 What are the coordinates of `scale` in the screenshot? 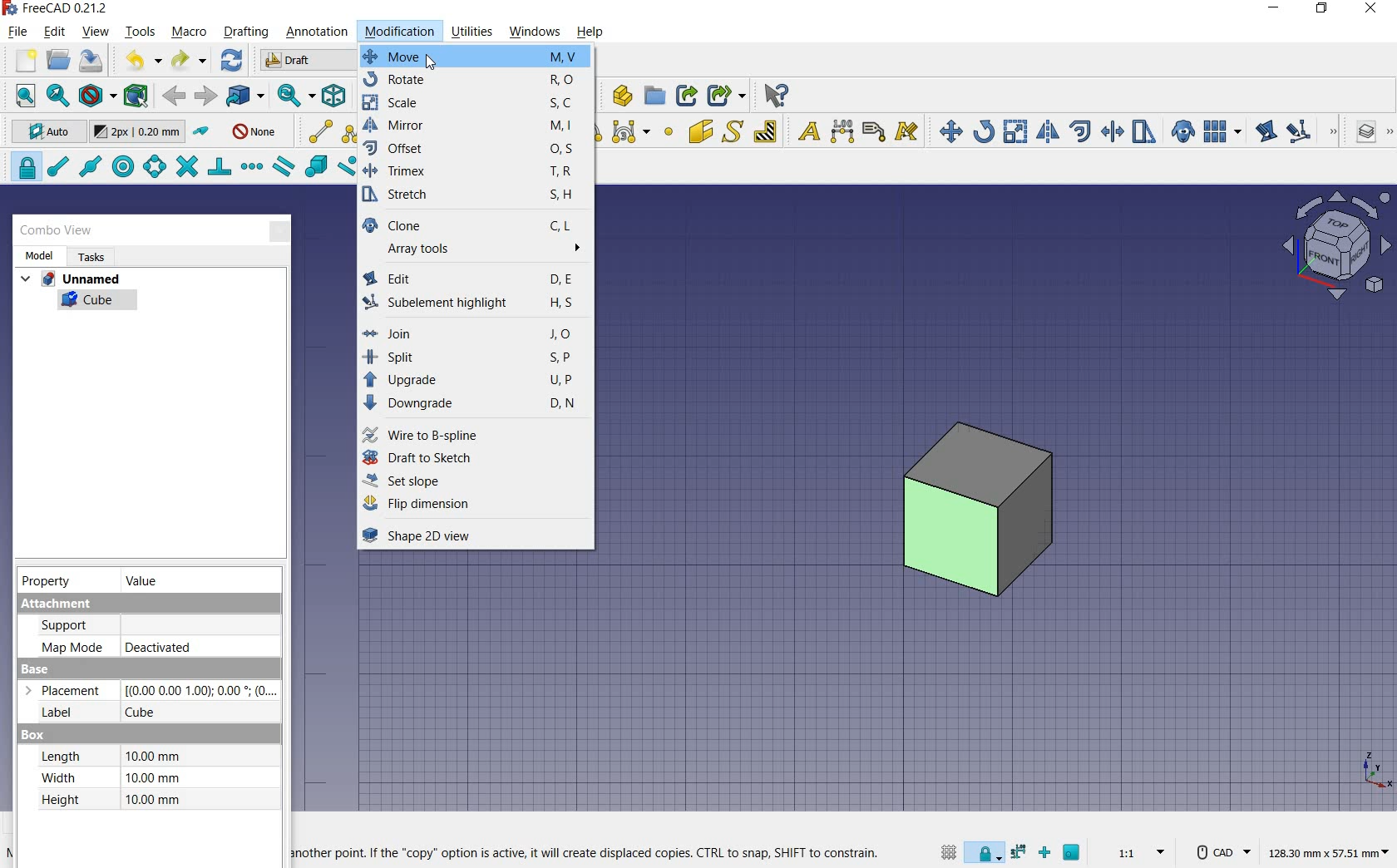 It's located at (477, 106).